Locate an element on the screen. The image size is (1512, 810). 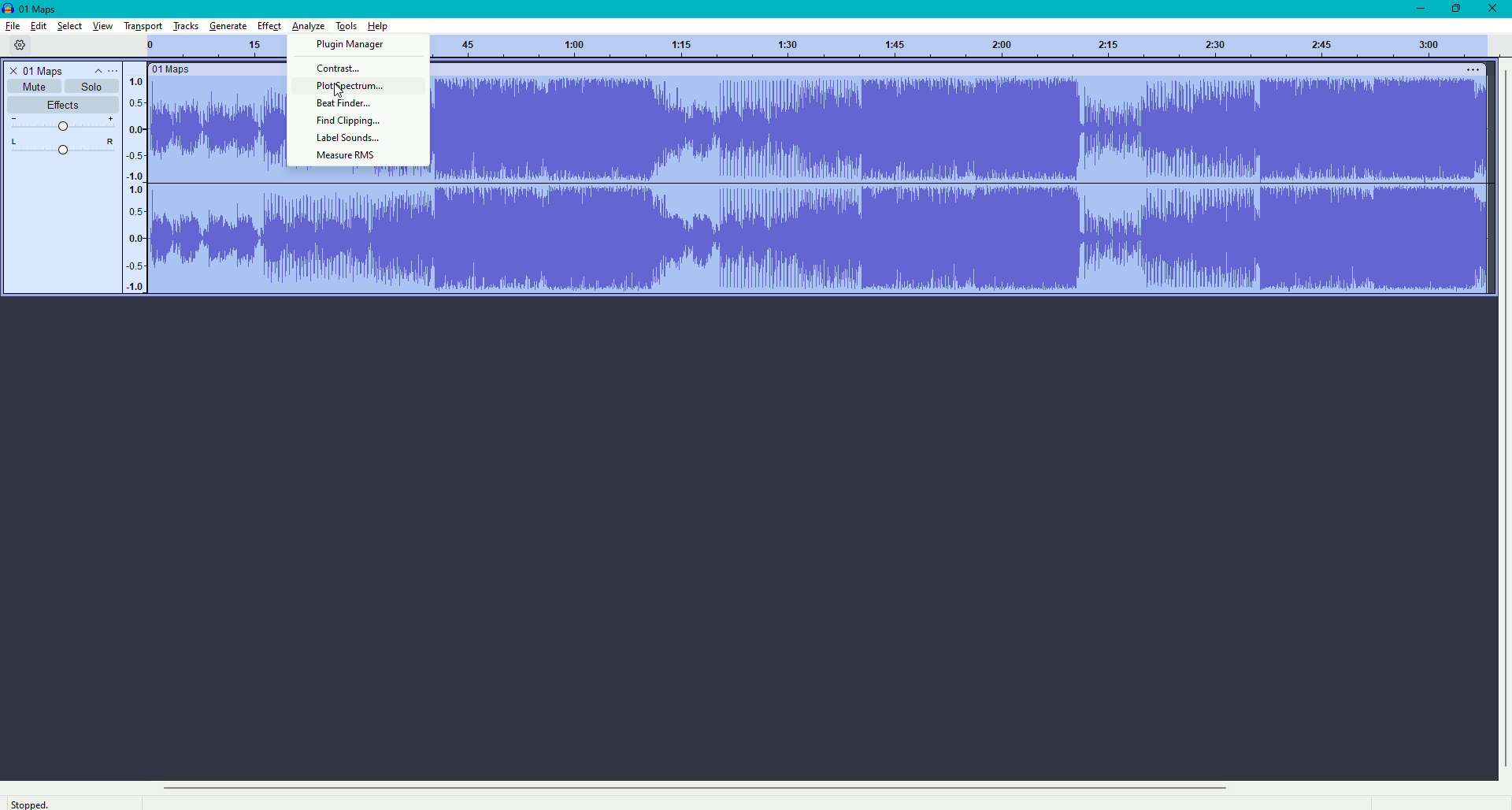
Restore is located at coordinates (1452, 9).